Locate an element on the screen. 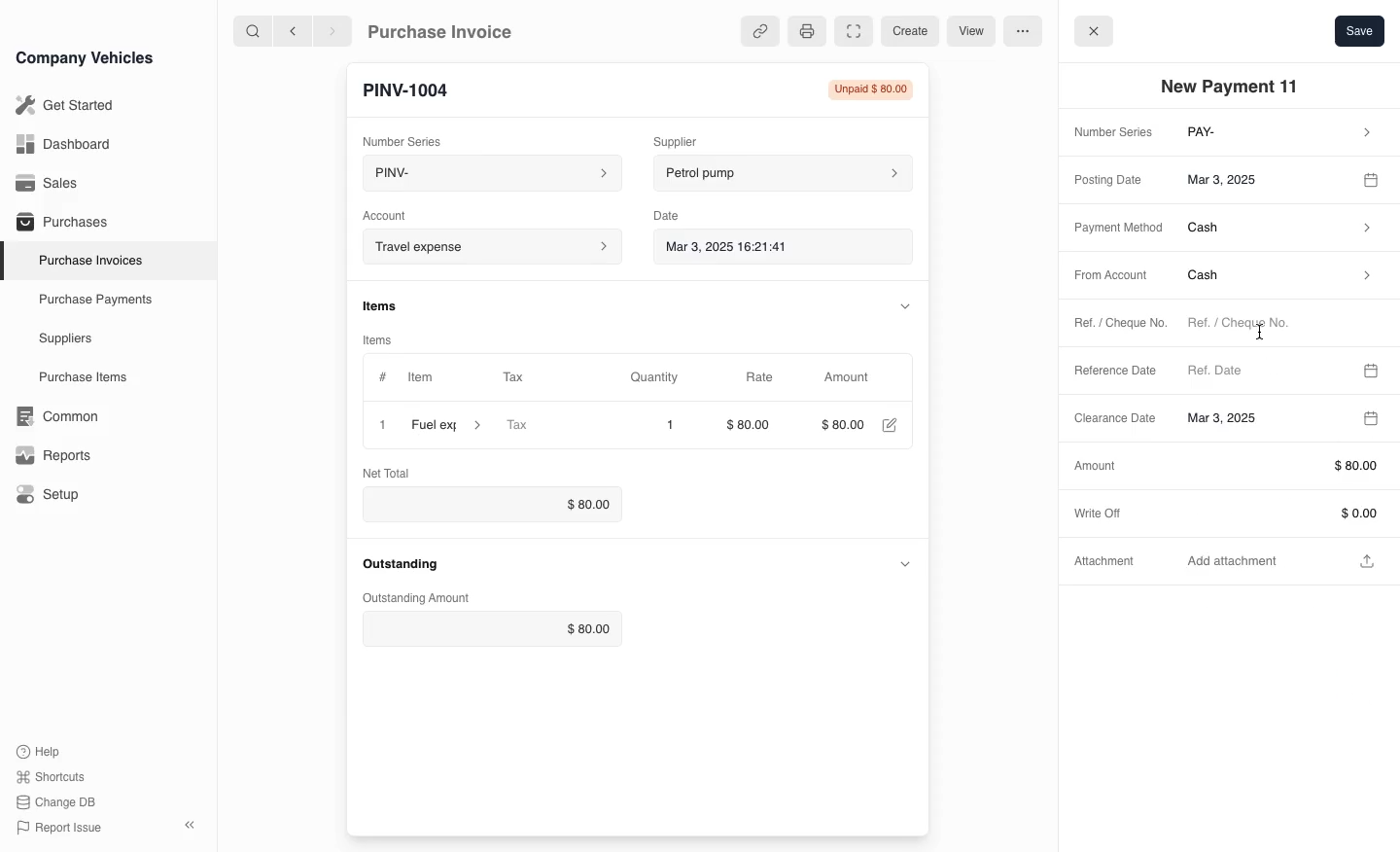 Image resolution: width=1400 pixels, height=852 pixels. Dashboard is located at coordinates (62, 144).